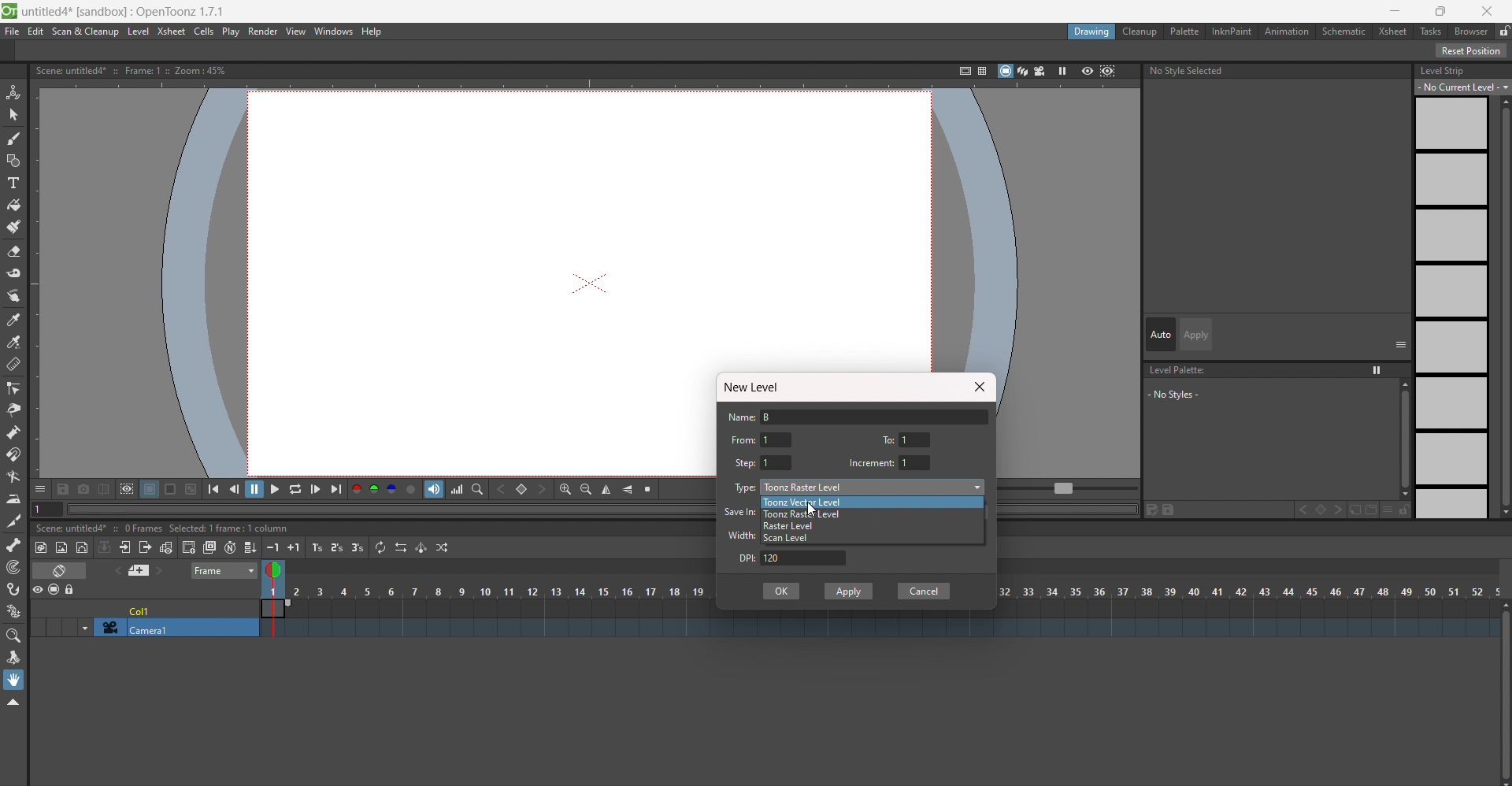  I want to click on options, so click(1401, 343).